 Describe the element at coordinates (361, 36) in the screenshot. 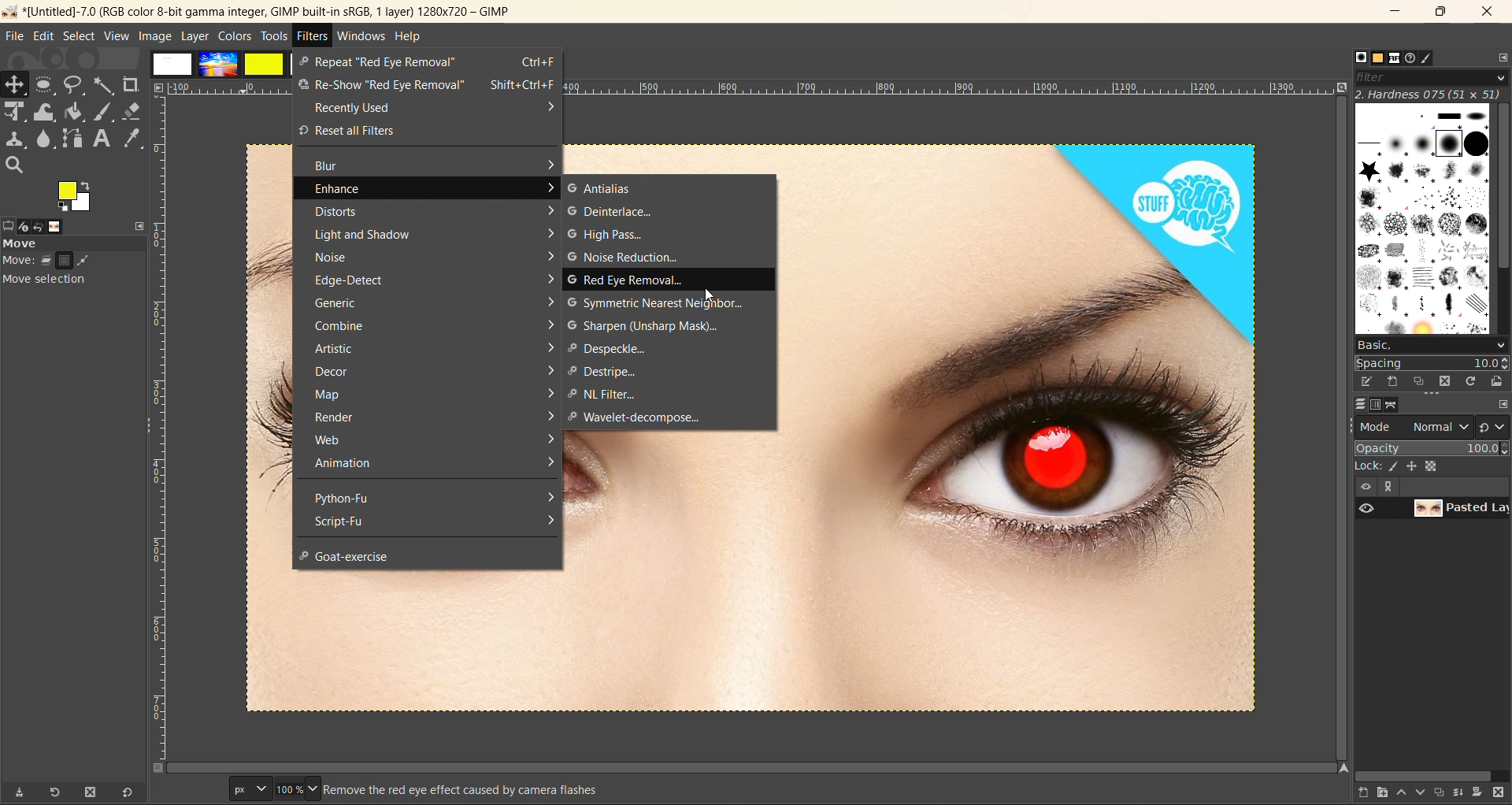

I see `windows` at that location.